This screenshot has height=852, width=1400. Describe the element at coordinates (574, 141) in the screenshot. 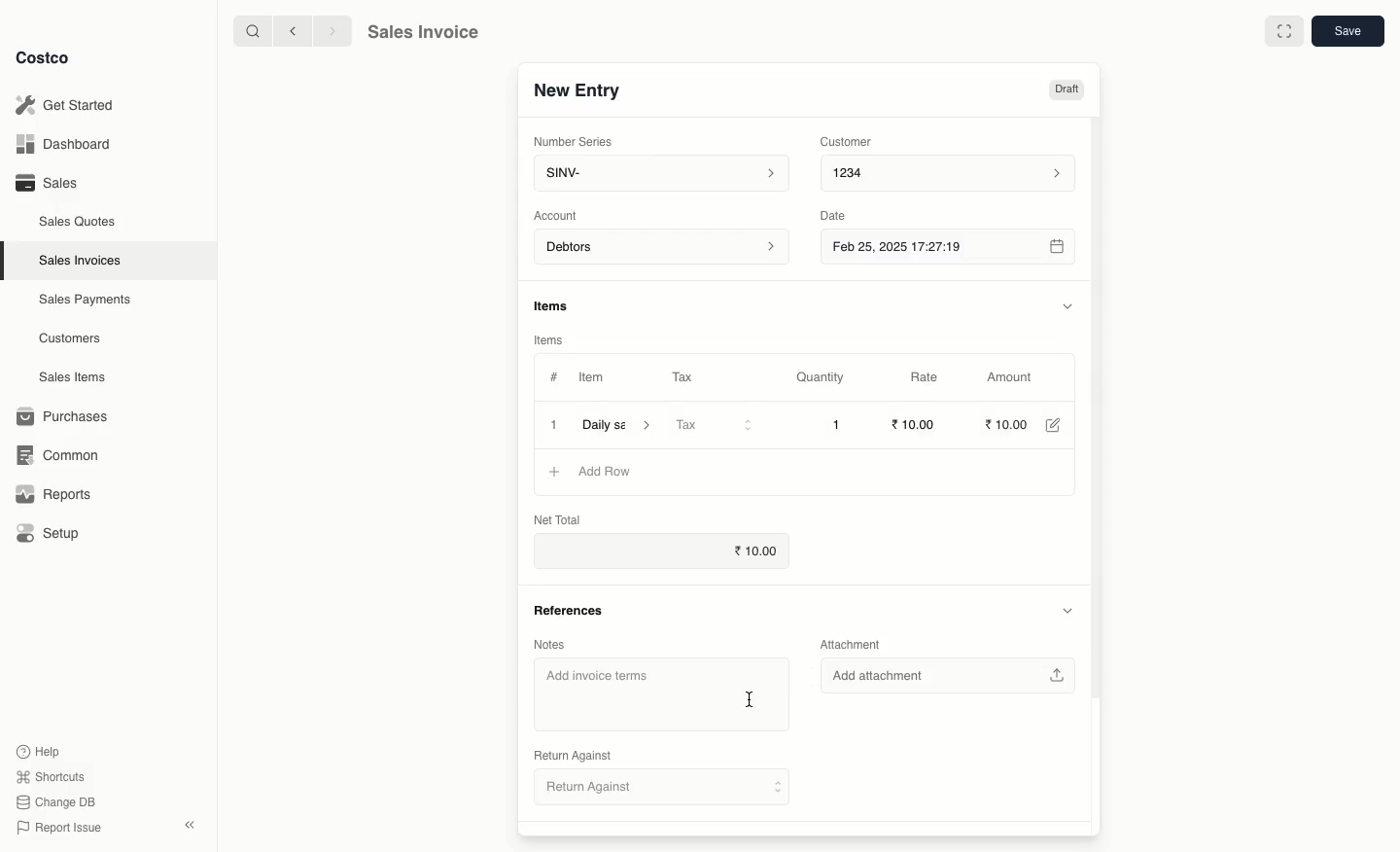

I see `Number Series` at that location.